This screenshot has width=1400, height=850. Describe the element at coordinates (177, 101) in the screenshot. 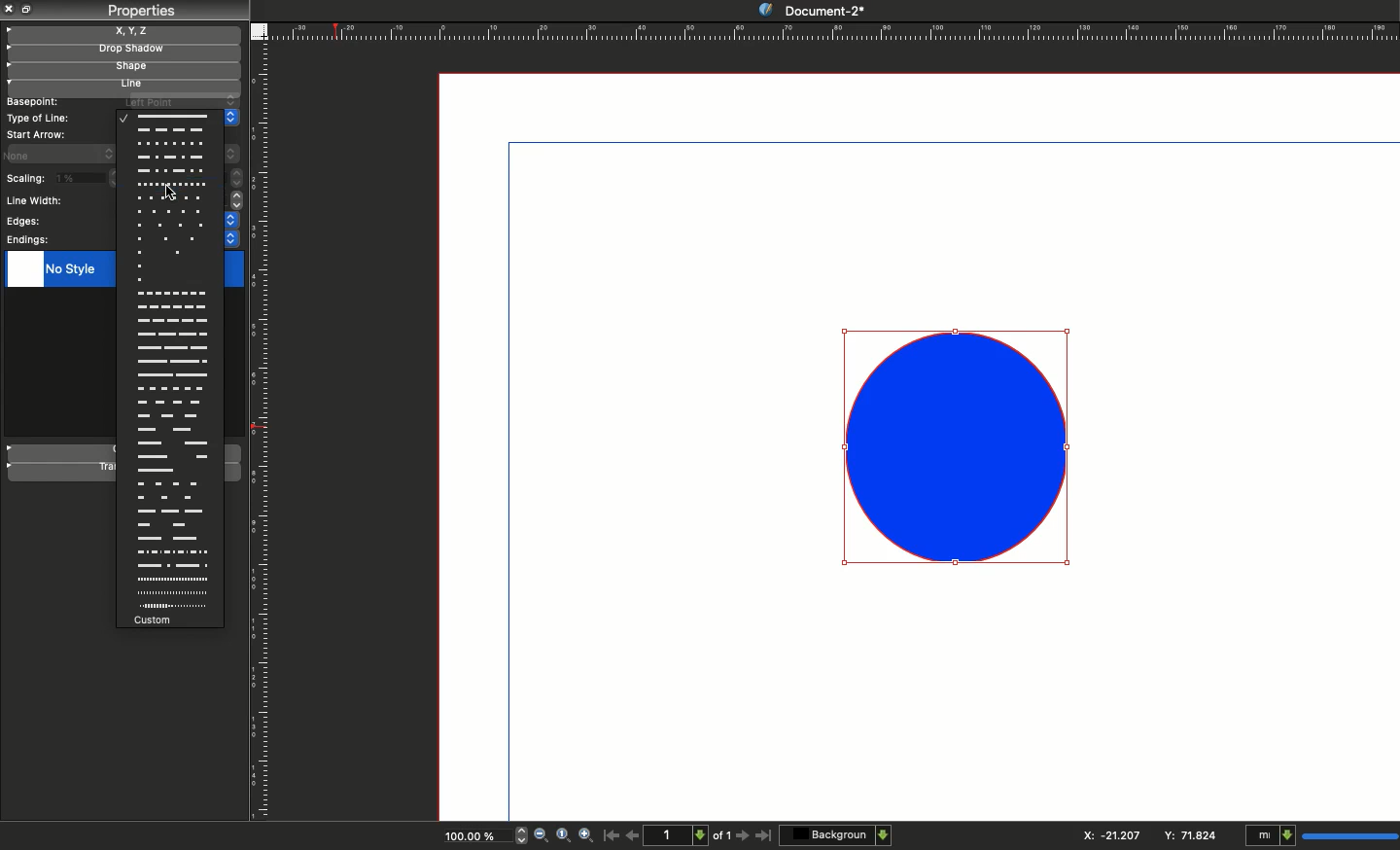

I see `Line point` at that location.